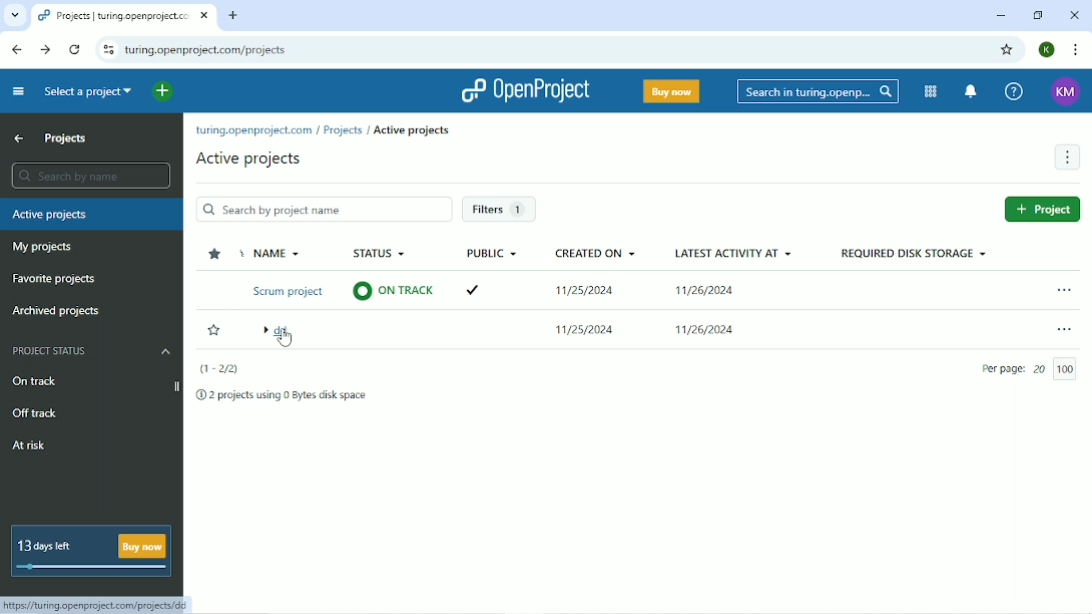 The height and width of the screenshot is (614, 1092). Describe the element at coordinates (27, 445) in the screenshot. I see `At risk` at that location.